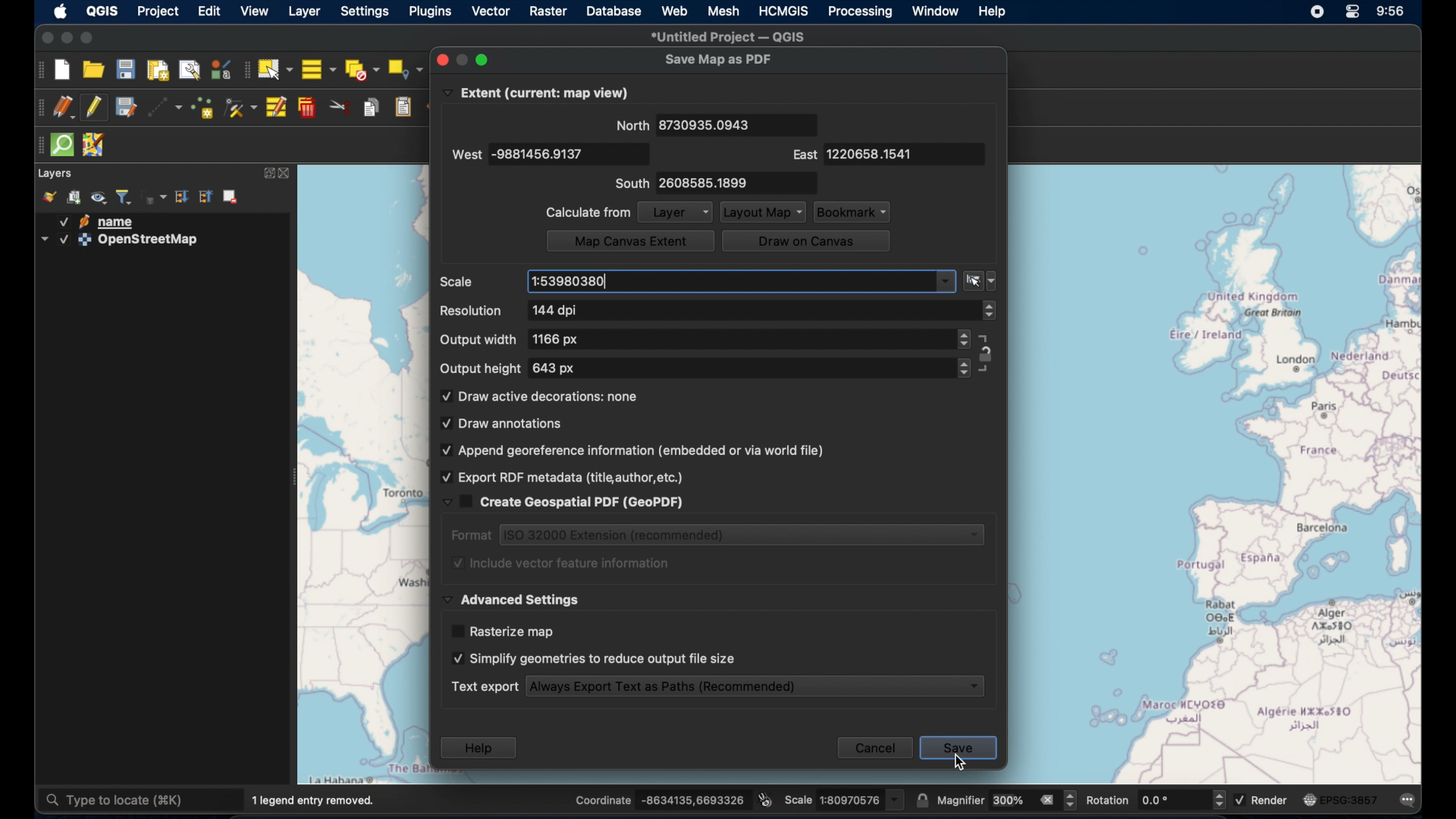 The image size is (1456, 819). What do you see at coordinates (156, 196) in the screenshot?
I see `filter layer by expression` at bounding box center [156, 196].